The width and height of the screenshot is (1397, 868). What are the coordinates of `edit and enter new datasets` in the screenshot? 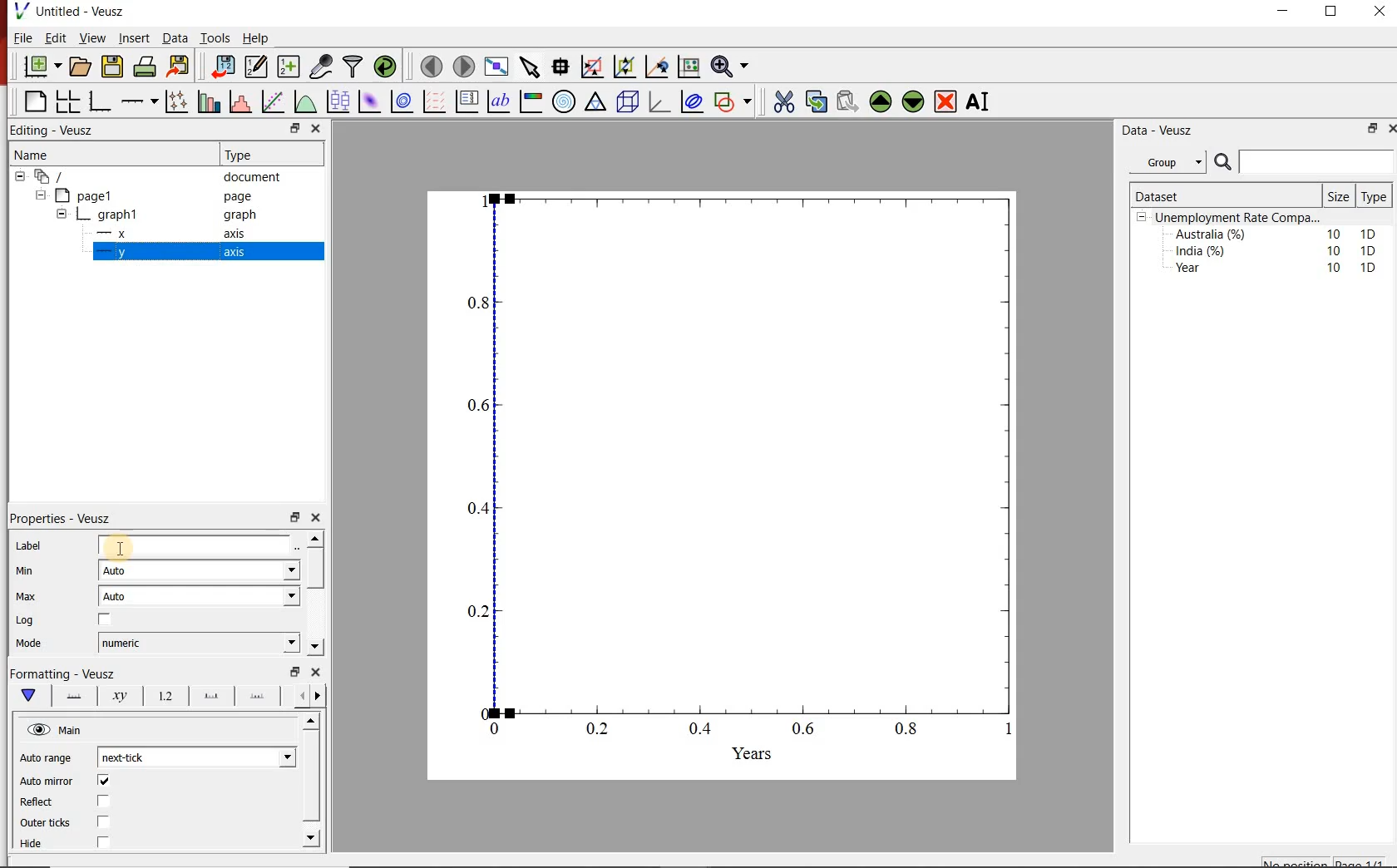 It's located at (258, 65).